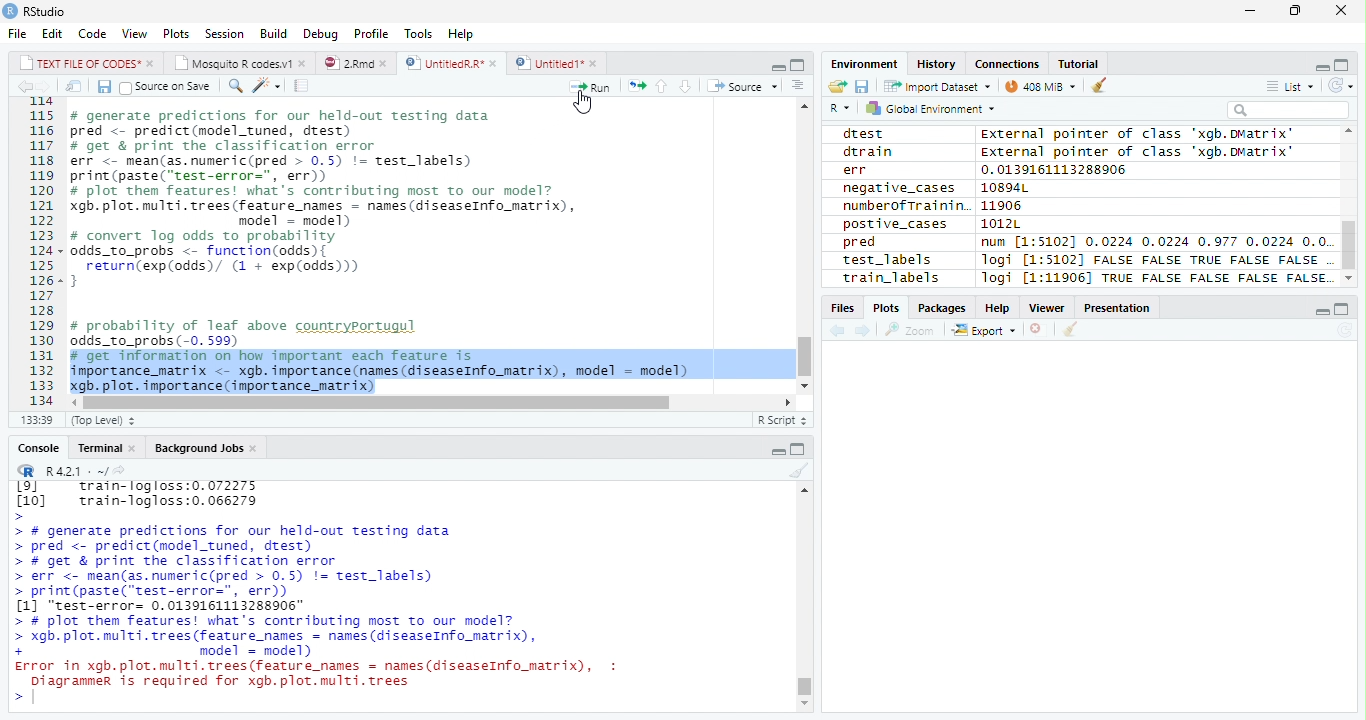 This screenshot has width=1366, height=720. Describe the element at coordinates (911, 328) in the screenshot. I see `Zoom` at that location.